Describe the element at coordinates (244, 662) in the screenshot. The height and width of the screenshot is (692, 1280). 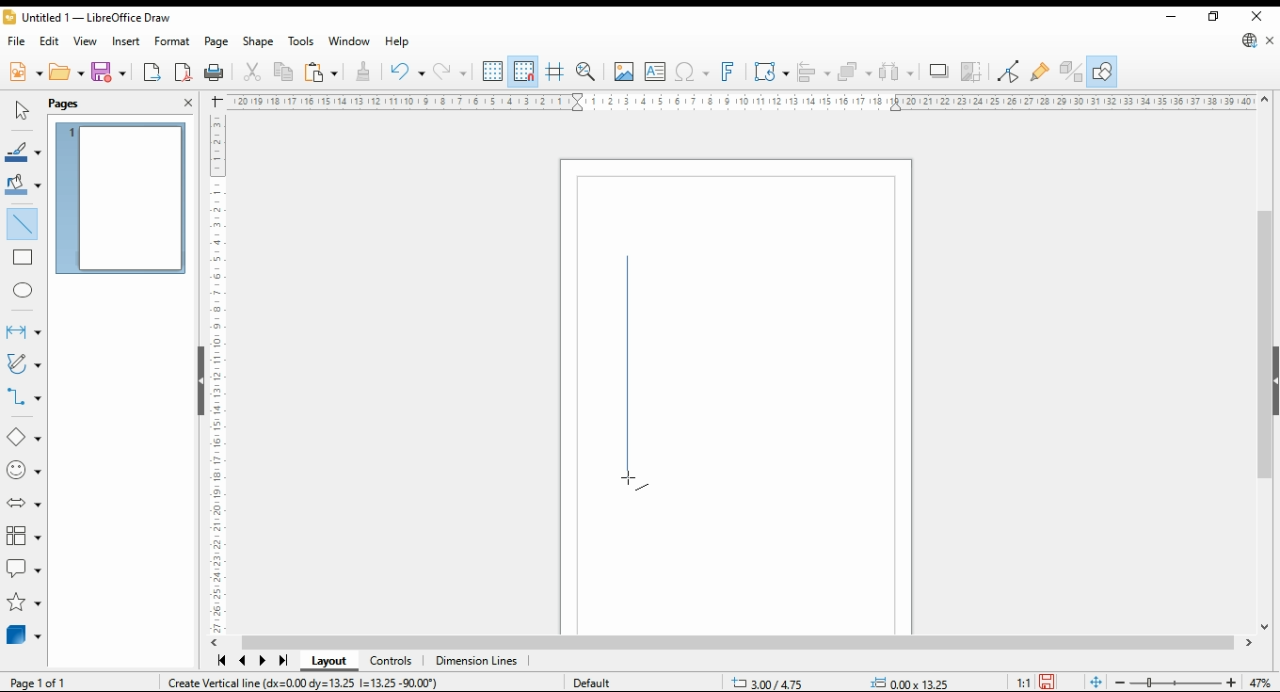
I see `previous page` at that location.